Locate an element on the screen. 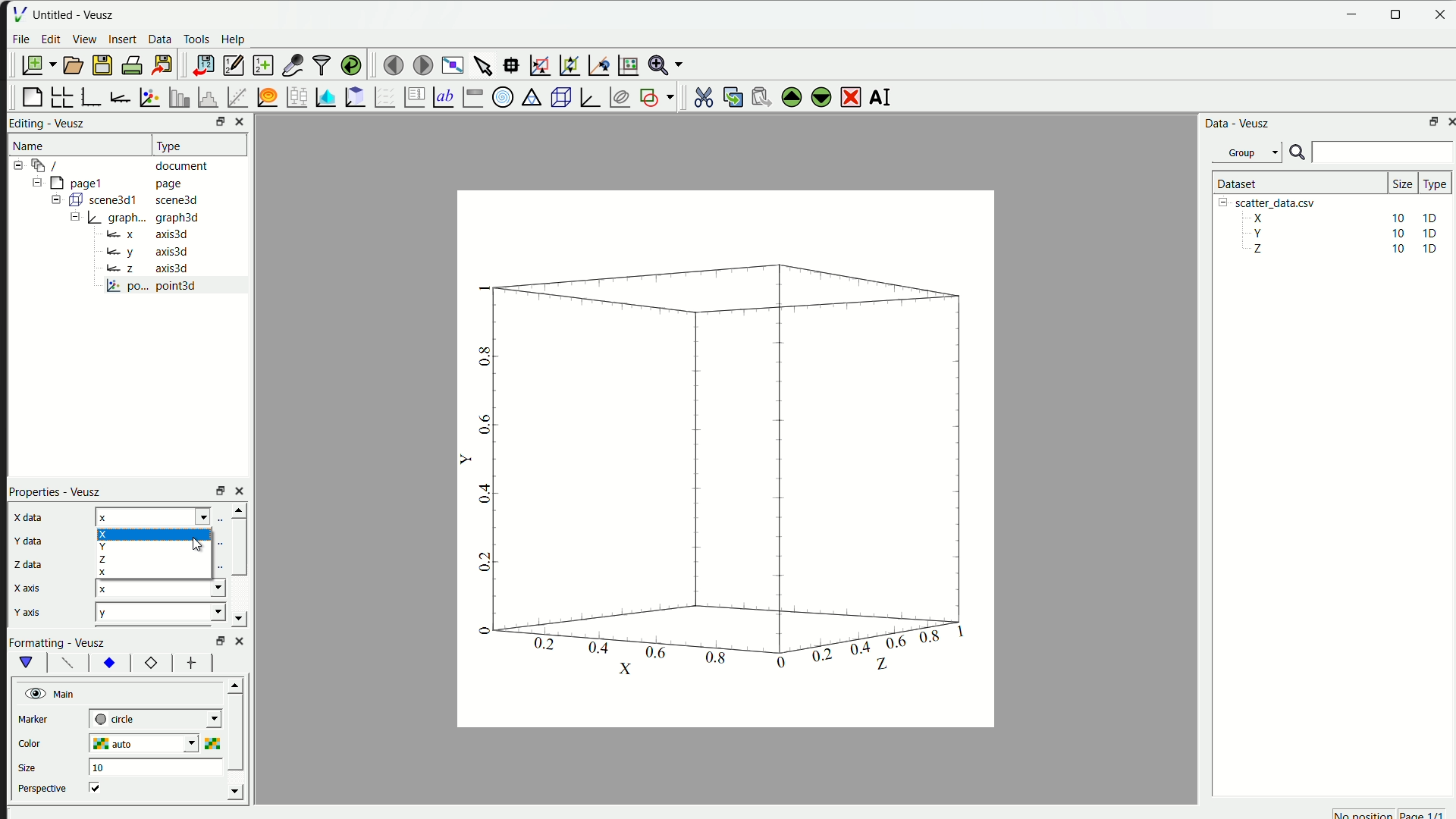 Image resolution: width=1456 pixels, height=819 pixels. File is located at coordinates (22, 40).